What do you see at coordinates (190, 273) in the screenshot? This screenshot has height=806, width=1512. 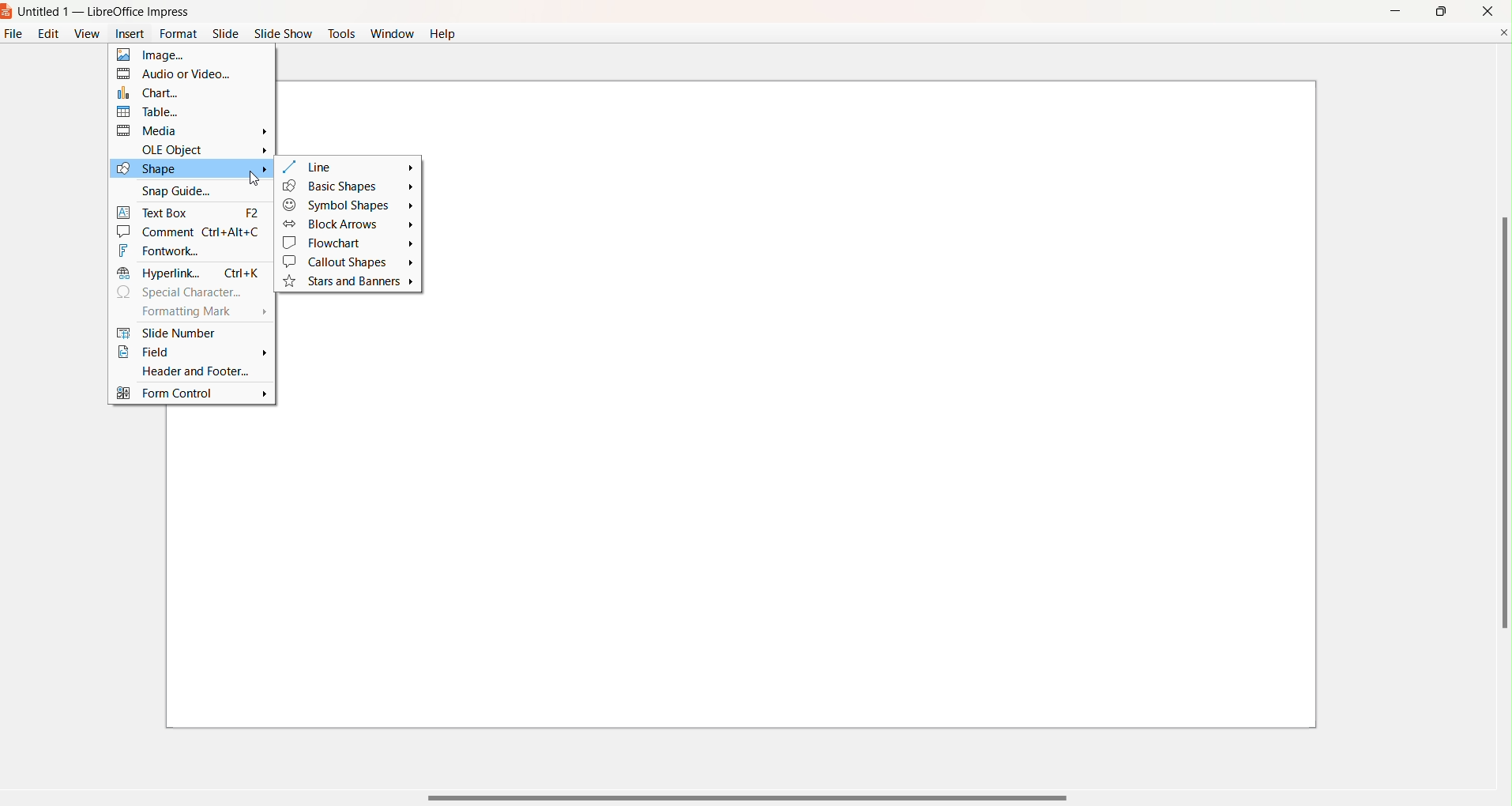 I see `Hyperlink` at bounding box center [190, 273].